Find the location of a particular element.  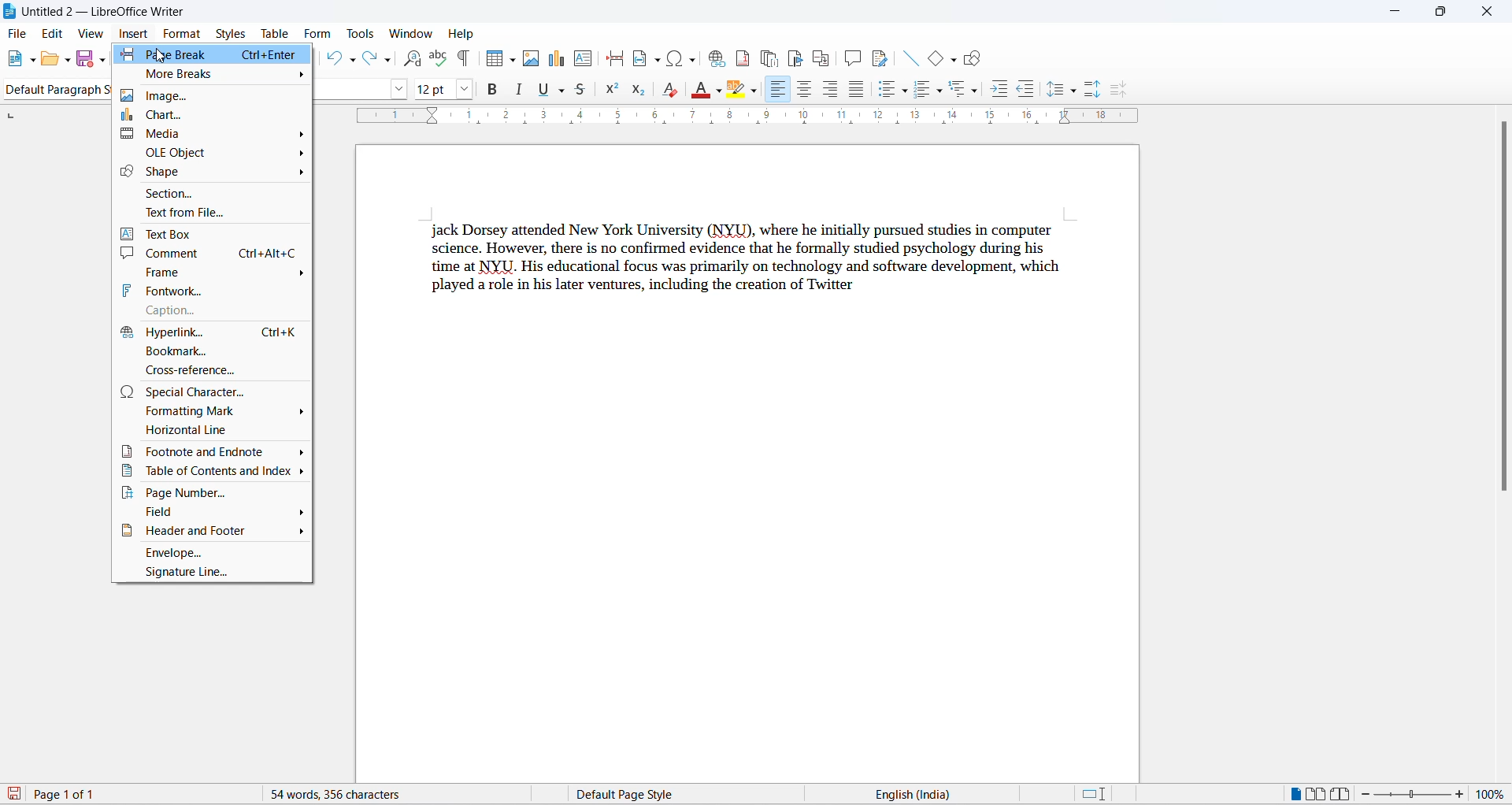

toggle unordered list is located at coordinates (885, 91).